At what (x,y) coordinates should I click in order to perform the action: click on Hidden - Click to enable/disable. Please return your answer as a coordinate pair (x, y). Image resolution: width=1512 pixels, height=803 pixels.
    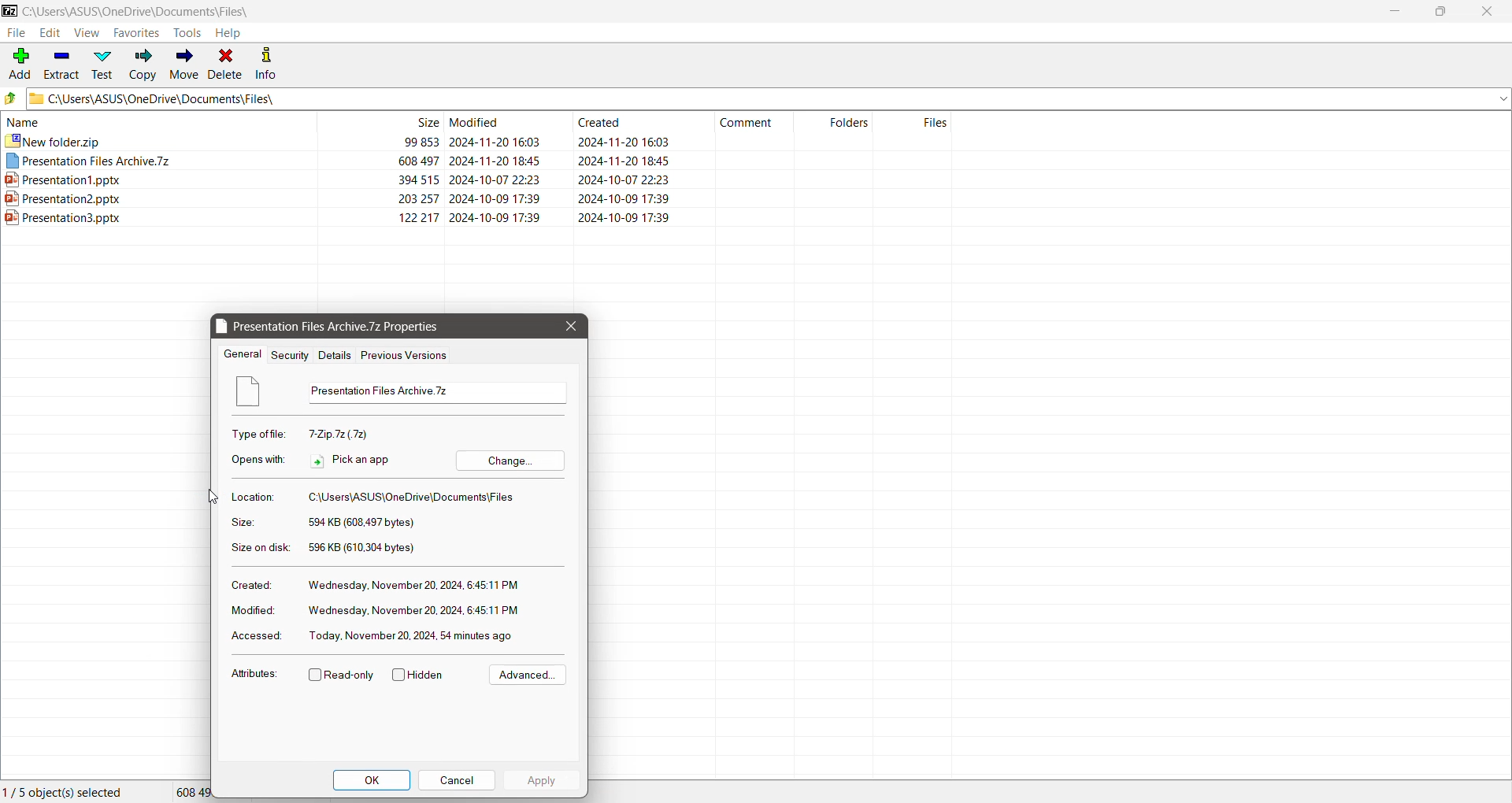
    Looking at the image, I should click on (418, 674).